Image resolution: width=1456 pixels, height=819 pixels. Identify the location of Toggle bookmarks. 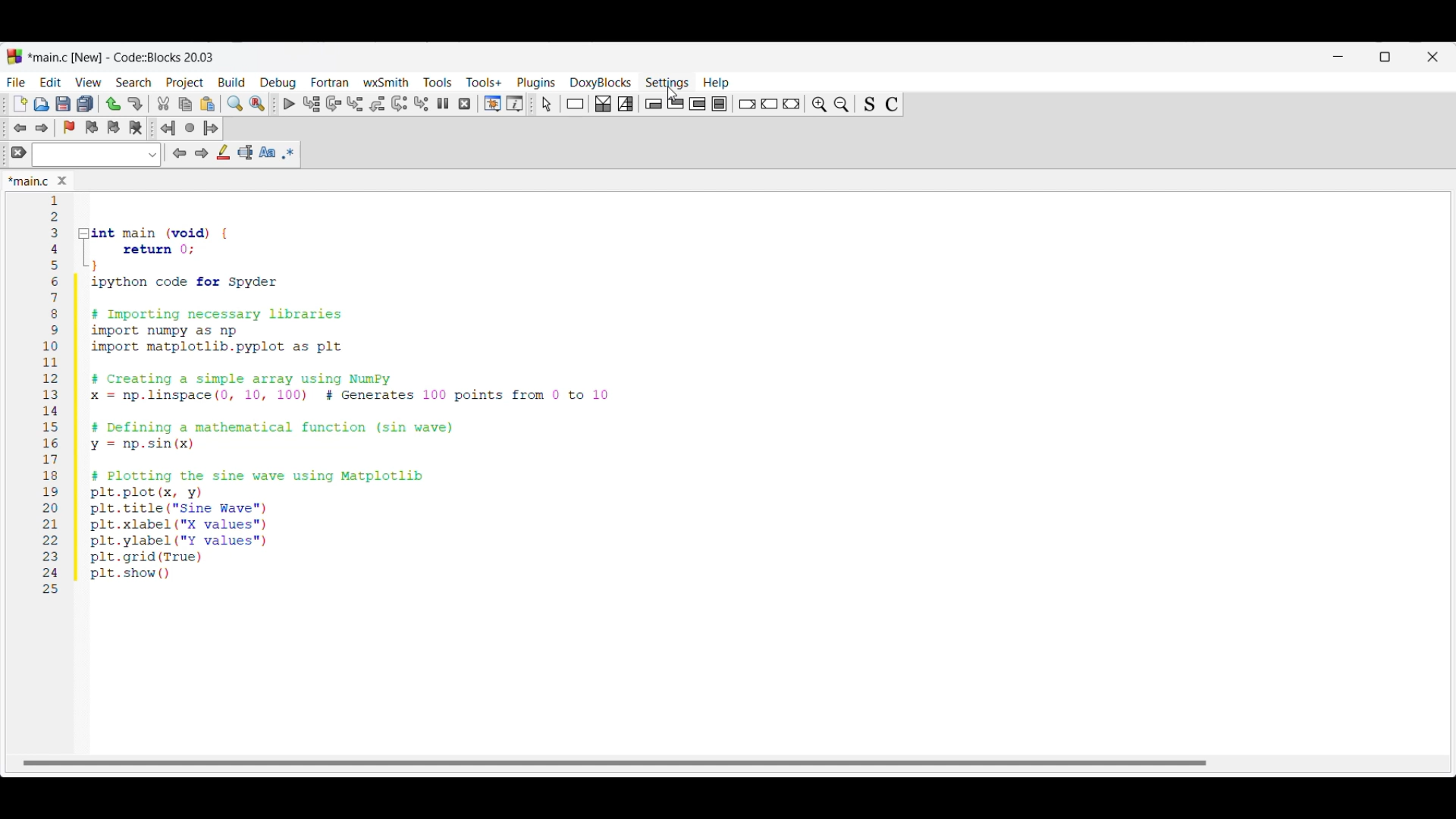
(69, 127).